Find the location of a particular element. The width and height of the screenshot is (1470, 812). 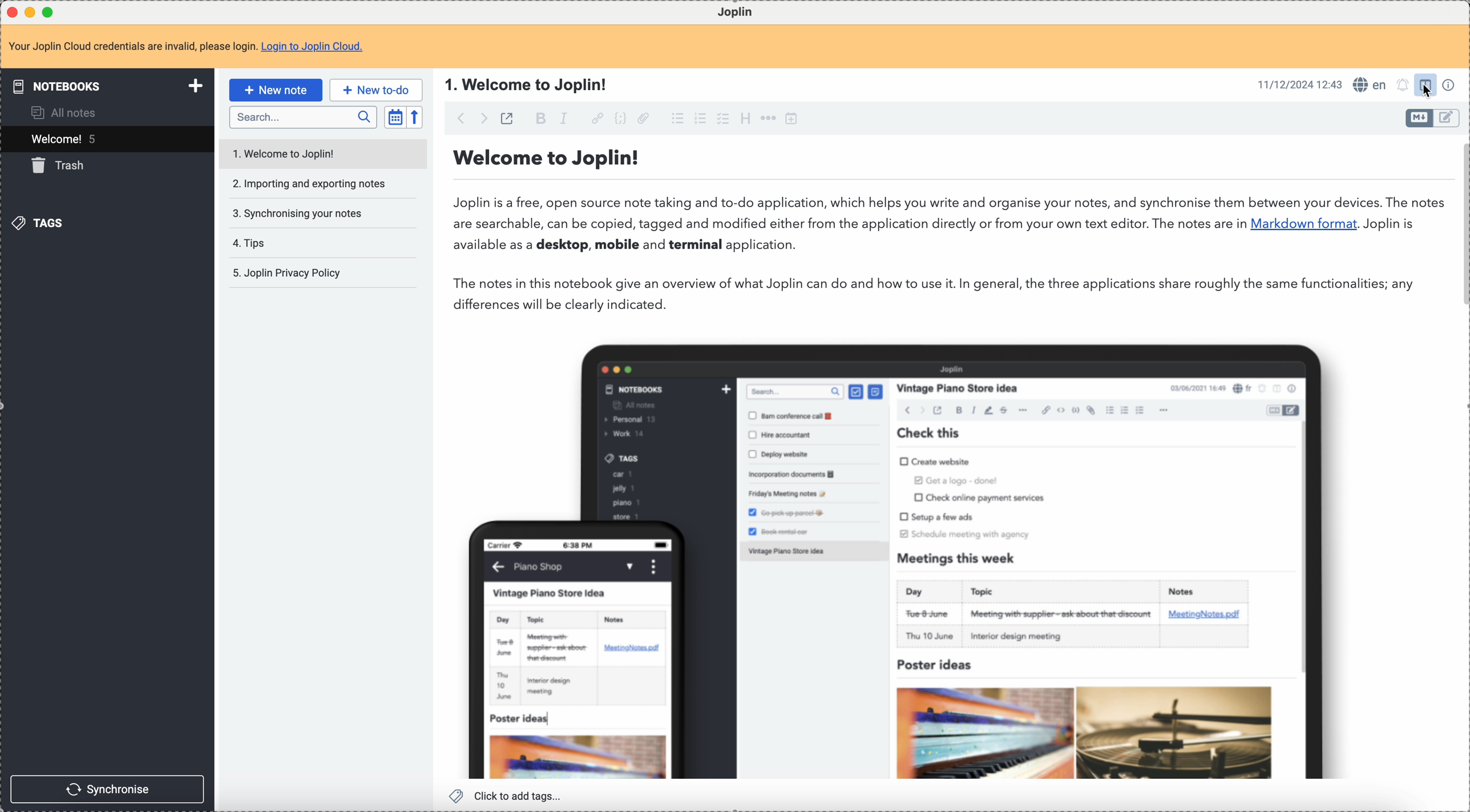

set alarm is located at coordinates (1401, 86).